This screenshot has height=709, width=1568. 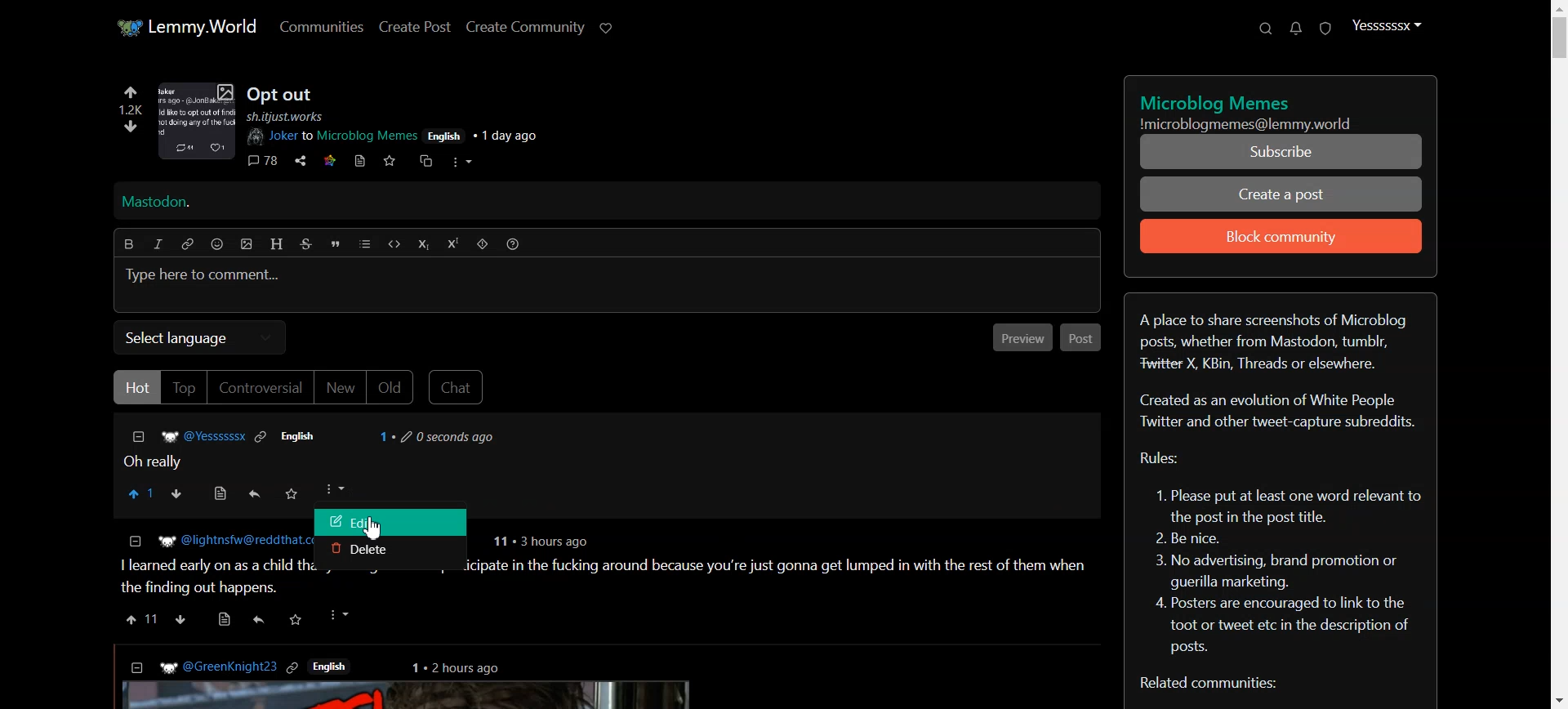 What do you see at coordinates (247, 245) in the screenshot?
I see `insert picture` at bounding box center [247, 245].